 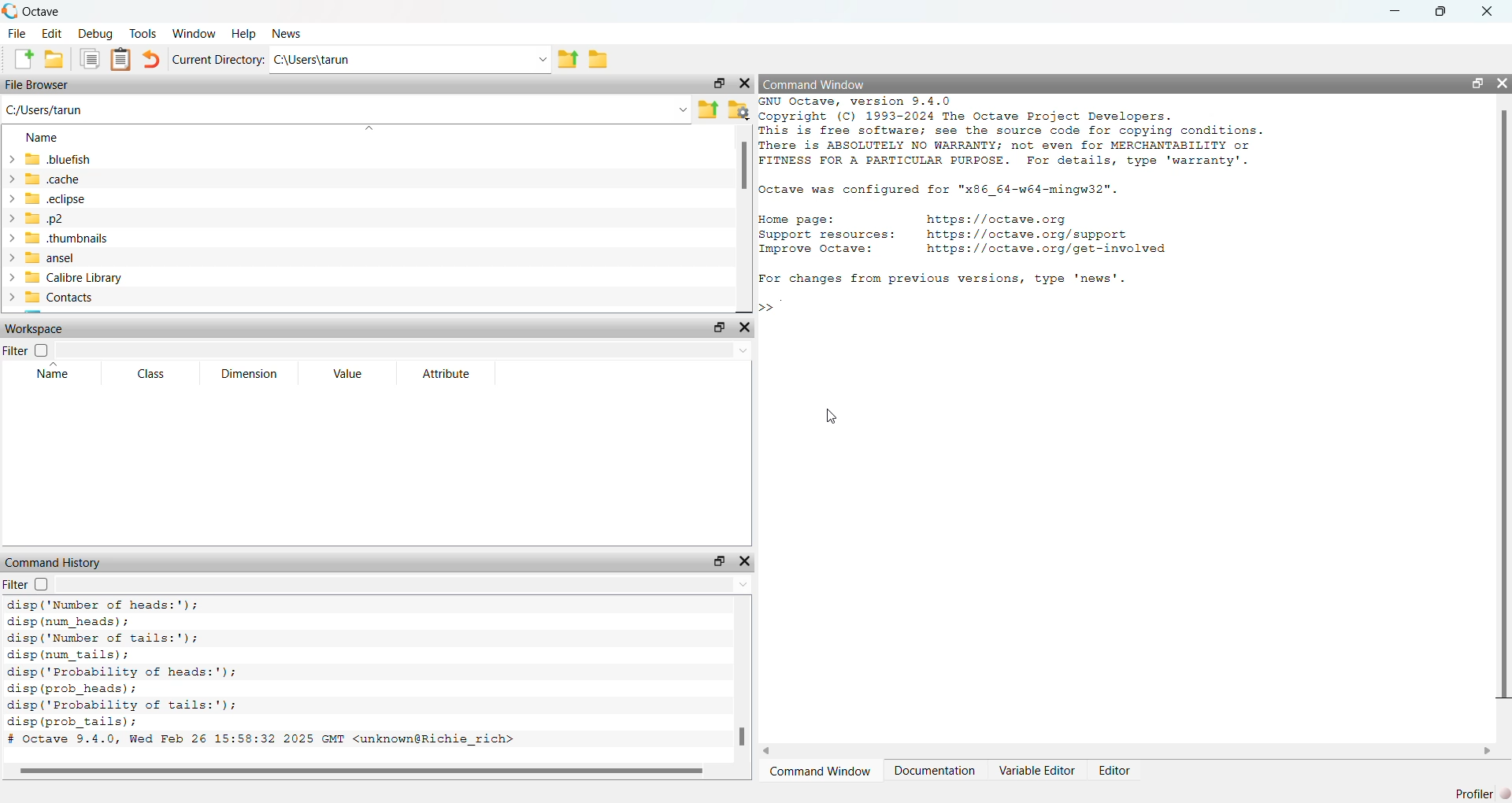 I want to click on Undock Widget, so click(x=717, y=83).